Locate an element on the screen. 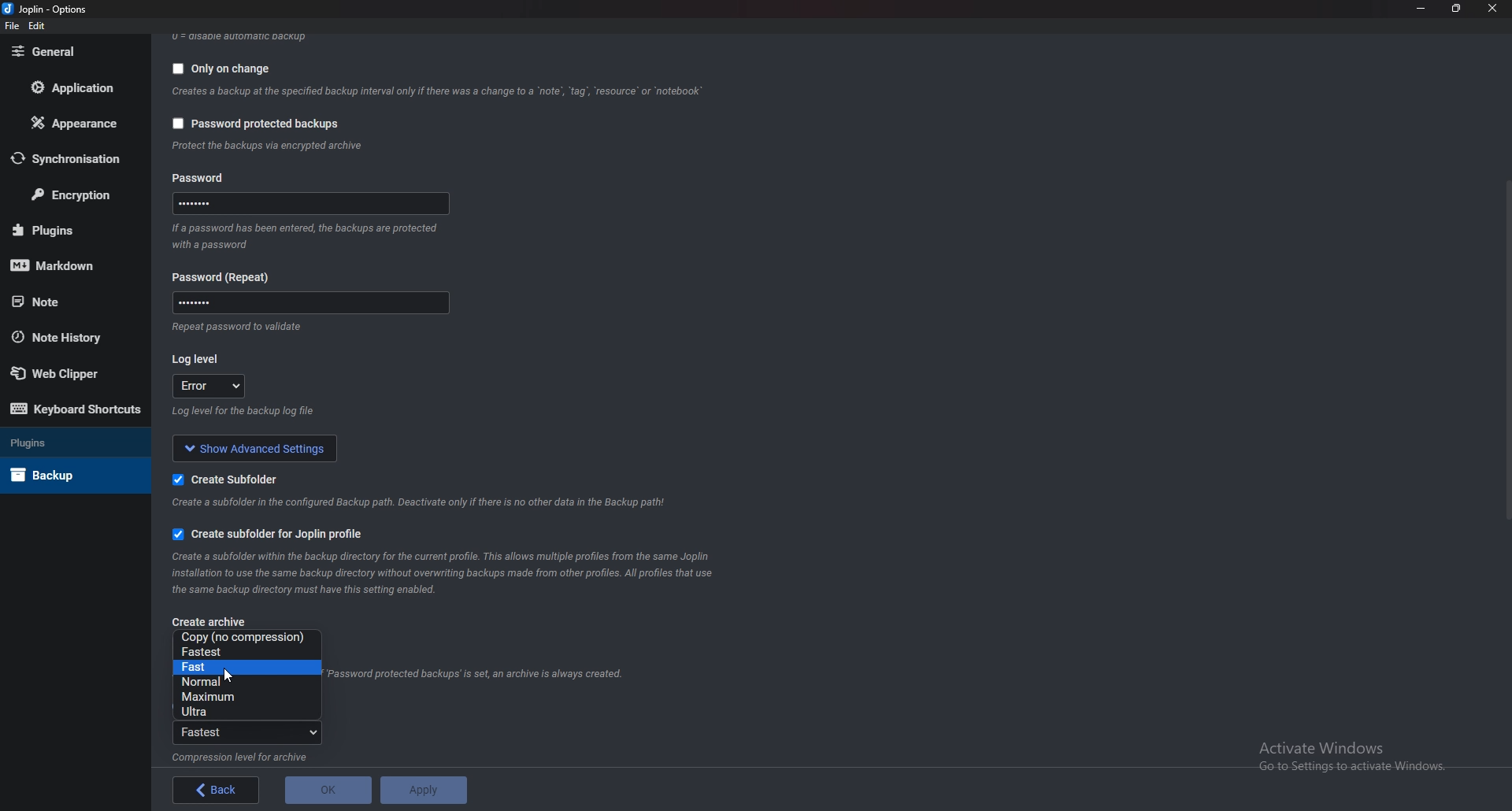 This screenshot has width=1512, height=811. Info on subfolder is located at coordinates (418, 504).